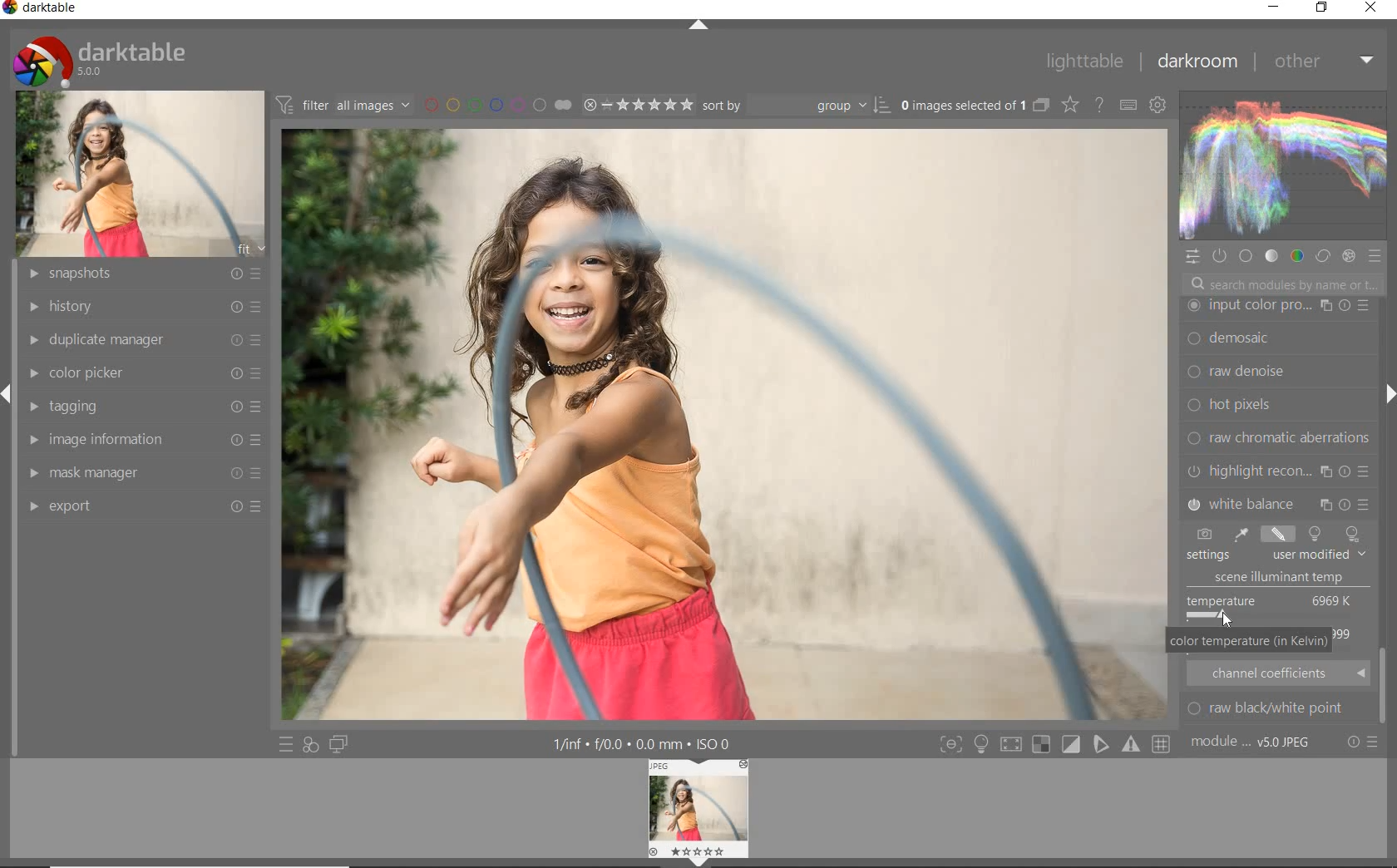  What do you see at coordinates (1363, 745) in the screenshot?
I see `reset or preset preference` at bounding box center [1363, 745].